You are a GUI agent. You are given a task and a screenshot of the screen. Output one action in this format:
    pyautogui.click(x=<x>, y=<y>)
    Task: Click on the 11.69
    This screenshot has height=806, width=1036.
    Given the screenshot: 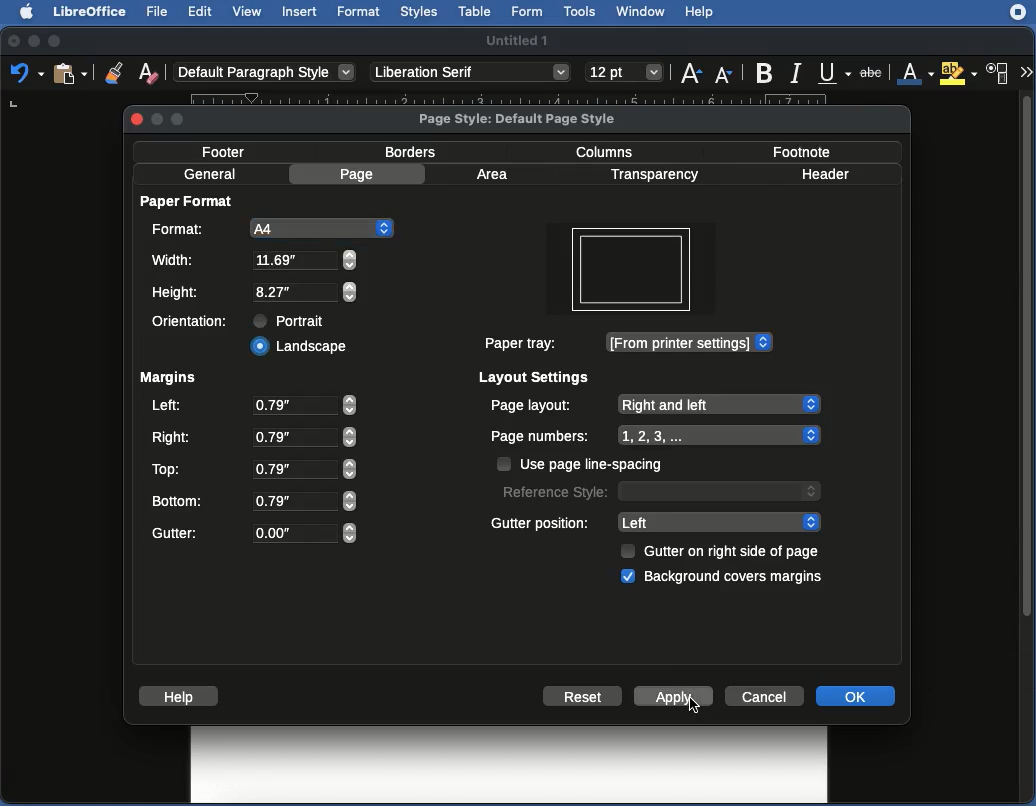 What is the action you would take?
    pyautogui.click(x=306, y=292)
    